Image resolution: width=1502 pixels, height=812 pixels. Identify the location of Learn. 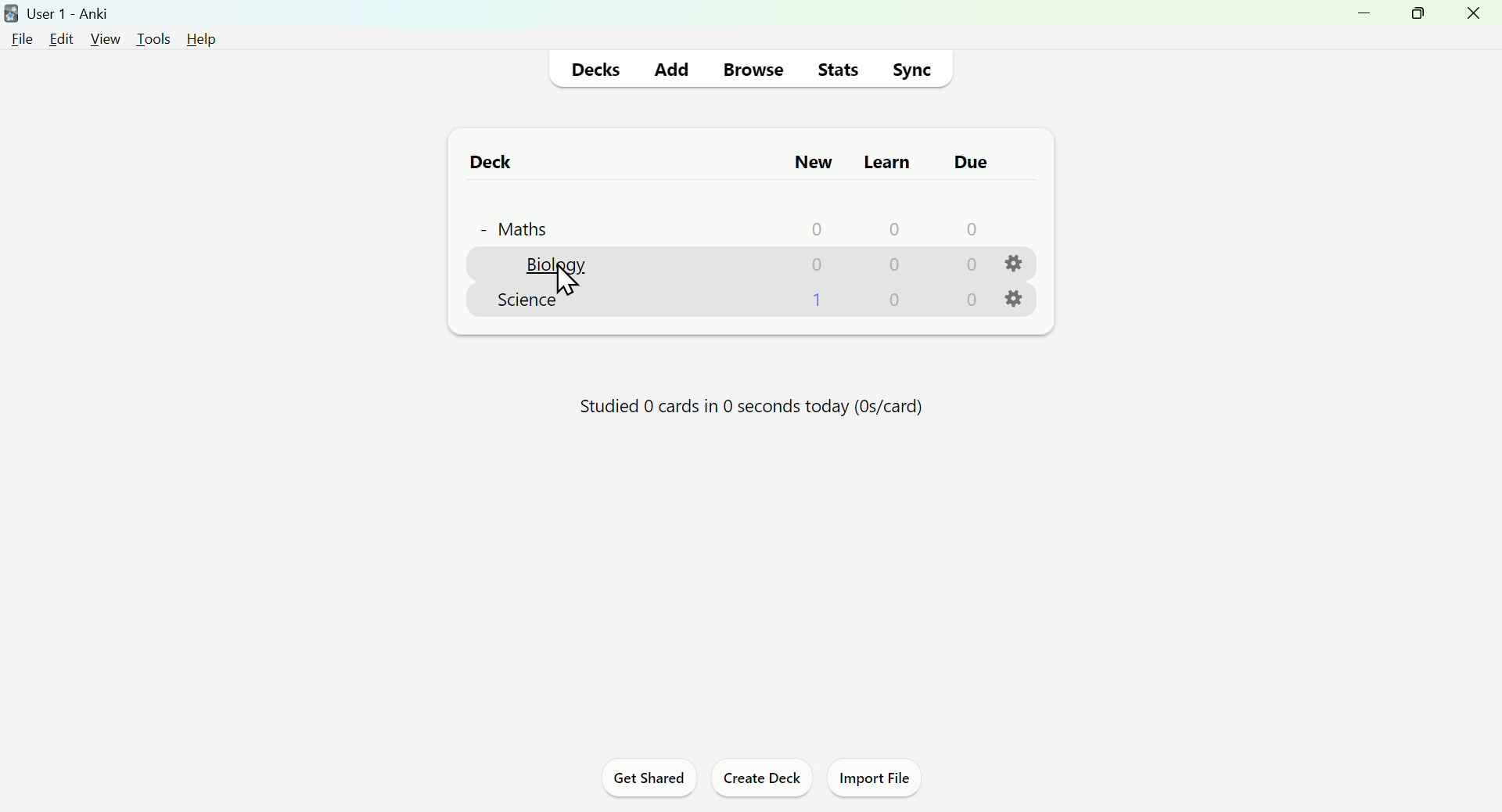
(889, 161).